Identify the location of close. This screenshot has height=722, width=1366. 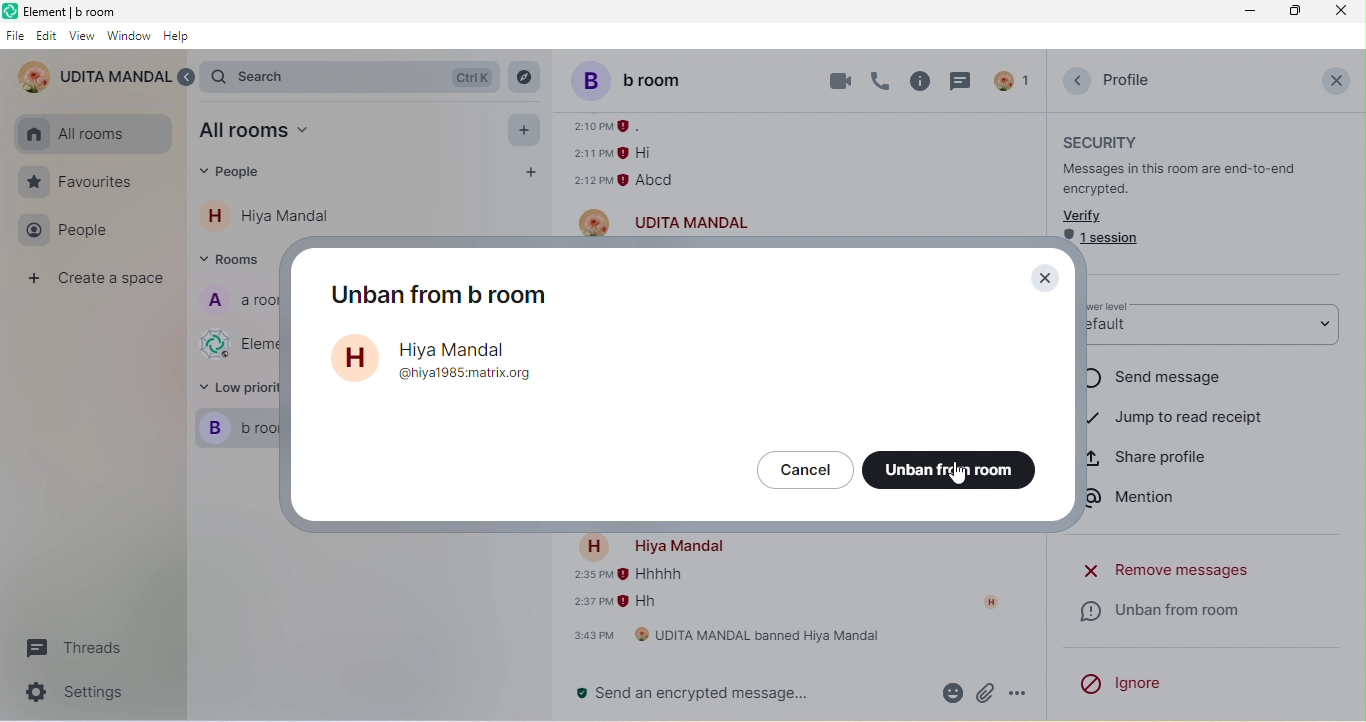
(1340, 11).